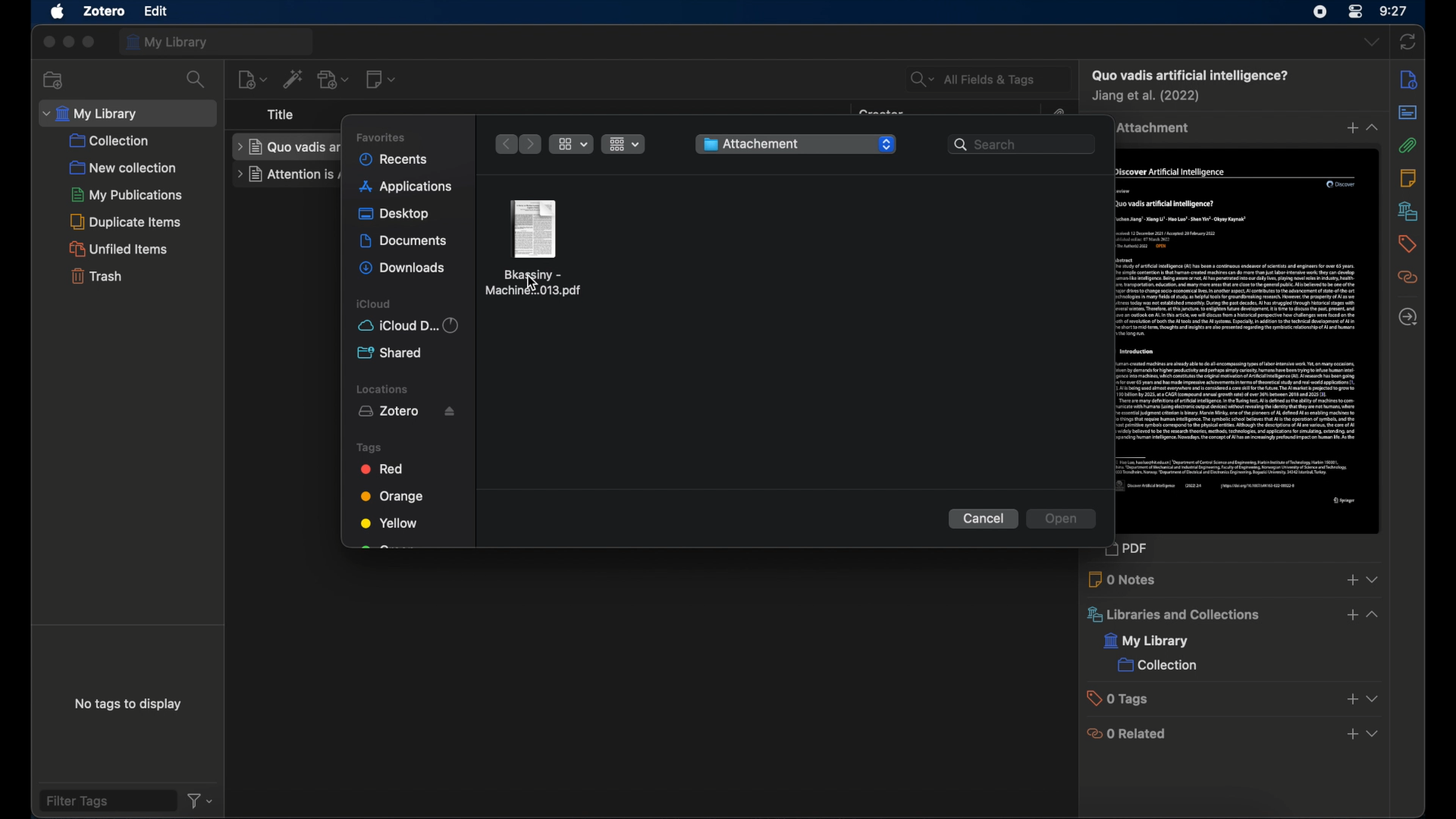  What do you see at coordinates (125, 194) in the screenshot?
I see `my publications` at bounding box center [125, 194].